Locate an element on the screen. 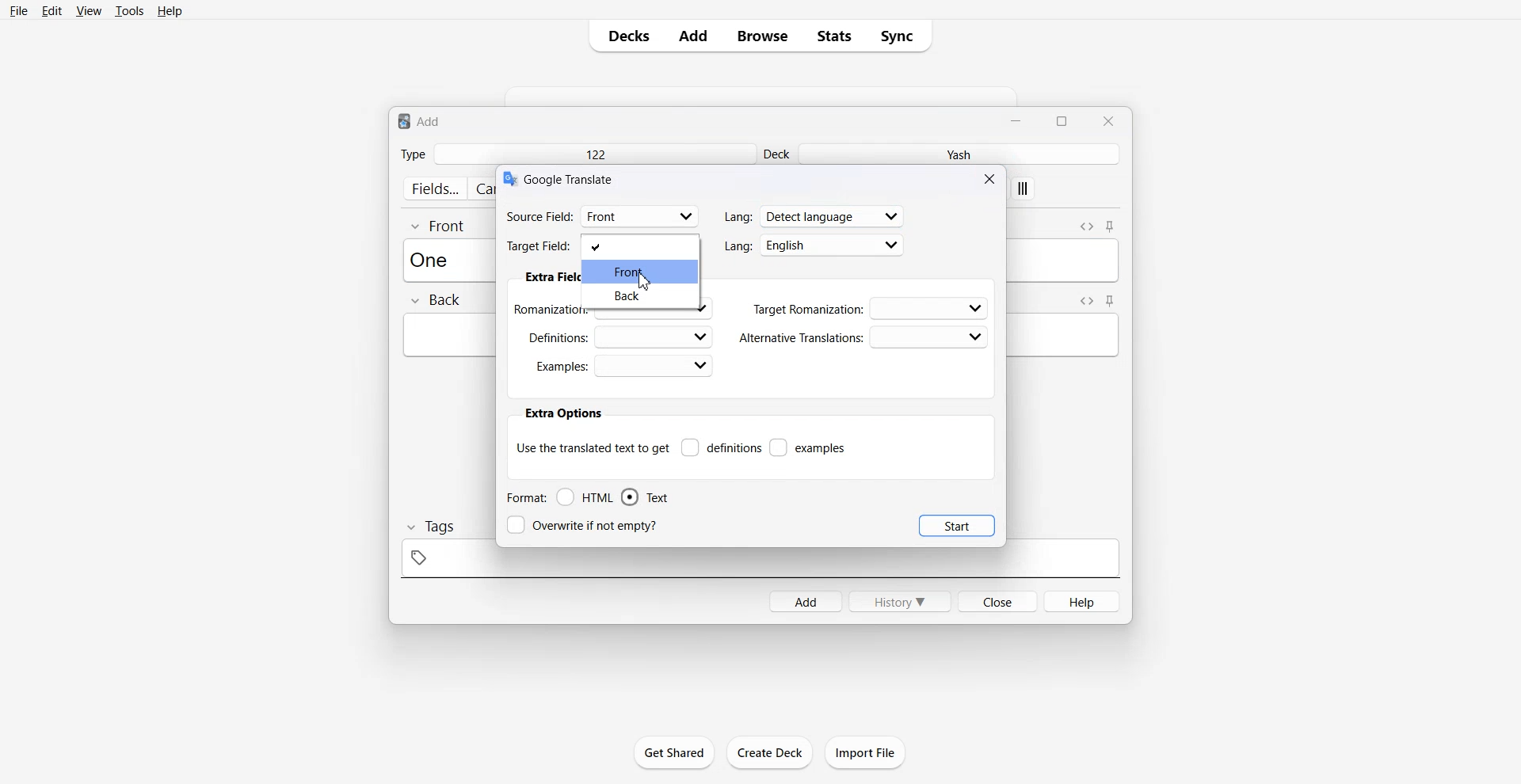 This screenshot has height=784, width=1521. Stats is located at coordinates (833, 36).